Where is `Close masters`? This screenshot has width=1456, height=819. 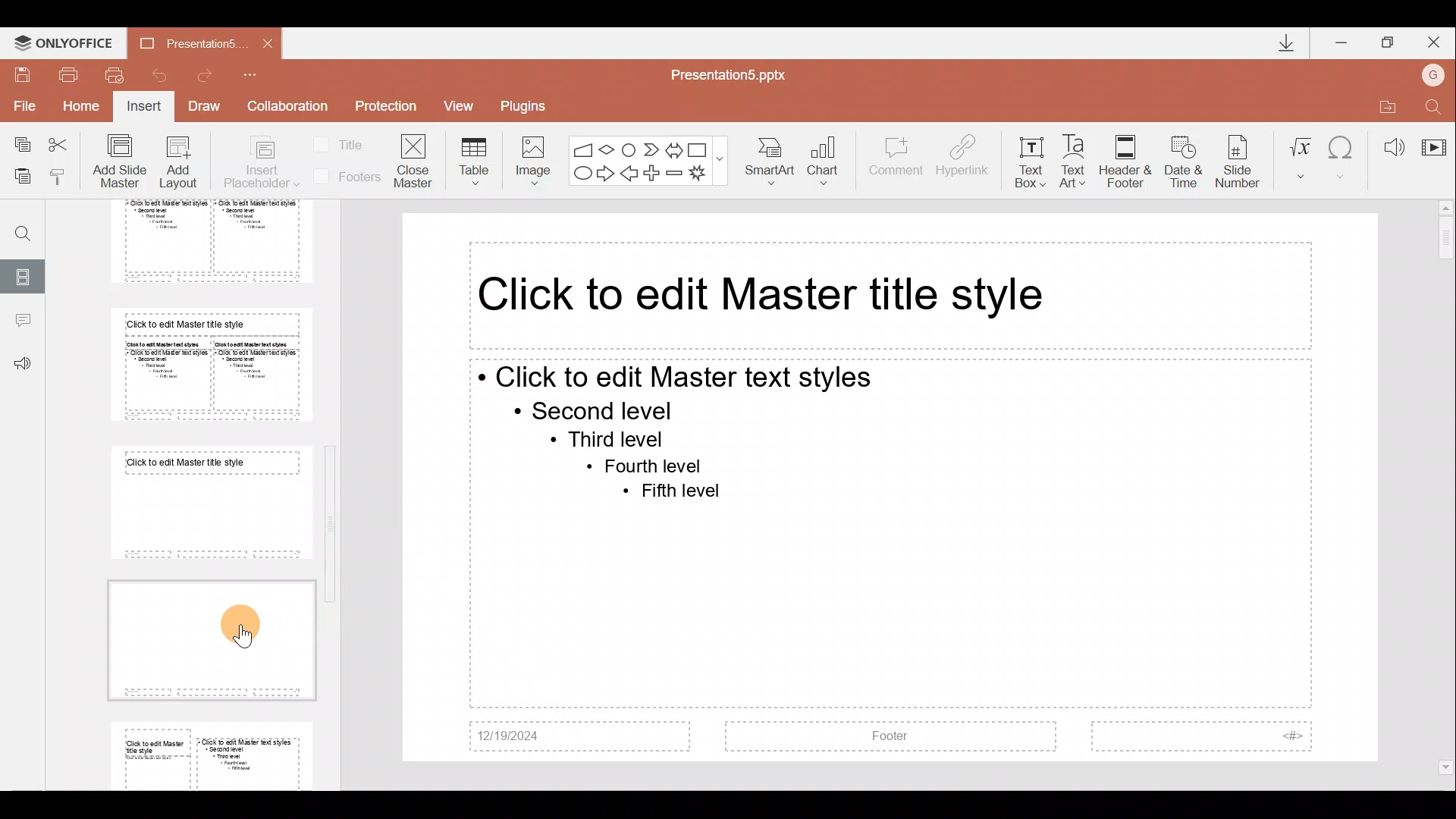
Close masters is located at coordinates (415, 160).